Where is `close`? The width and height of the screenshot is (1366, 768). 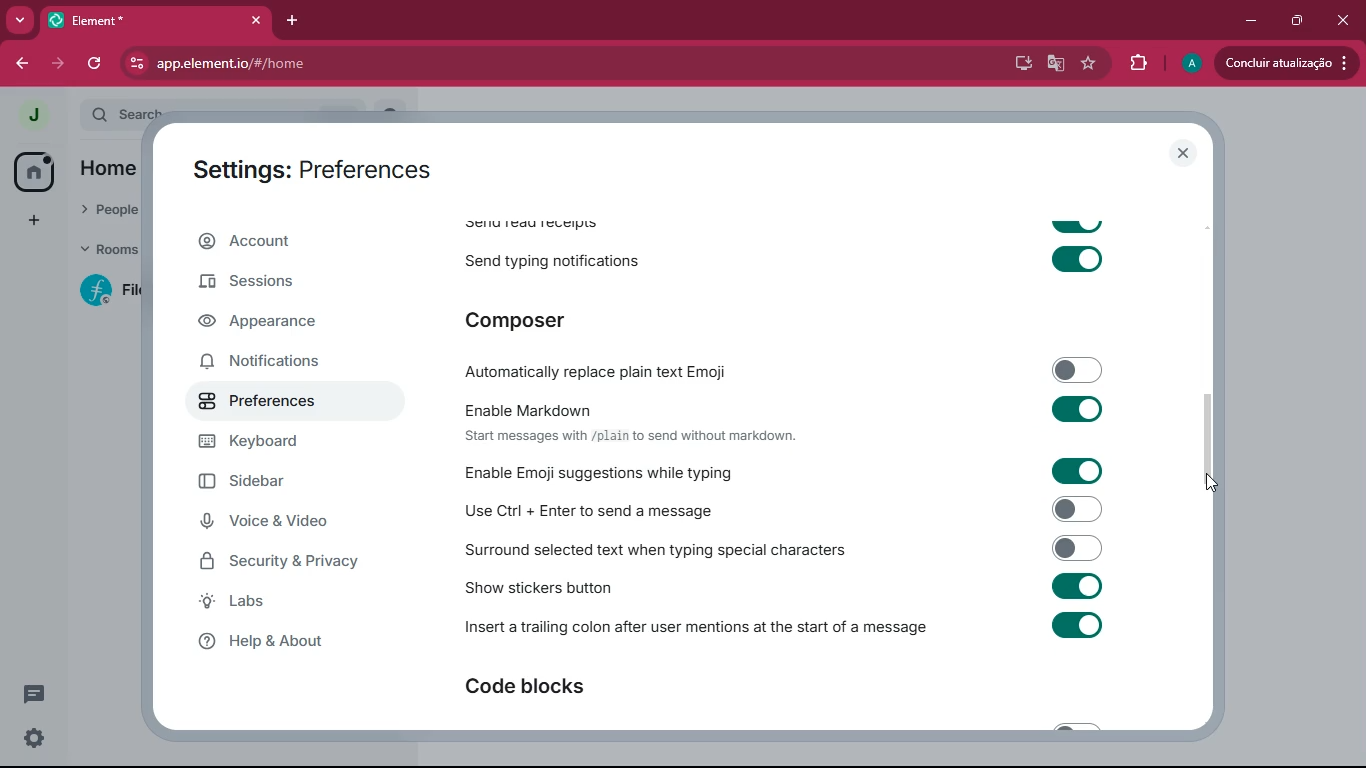 close is located at coordinates (1342, 17).